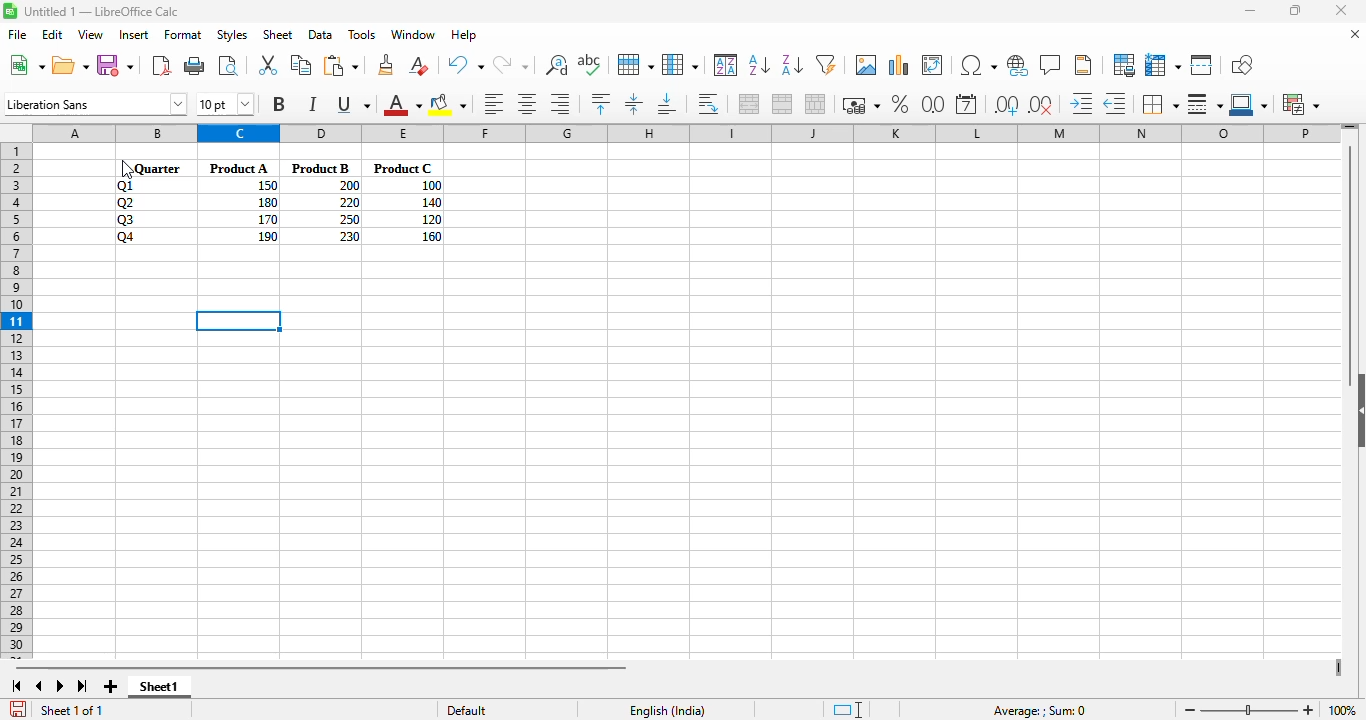  Describe the element at coordinates (158, 168) in the screenshot. I see `Quarter` at that location.